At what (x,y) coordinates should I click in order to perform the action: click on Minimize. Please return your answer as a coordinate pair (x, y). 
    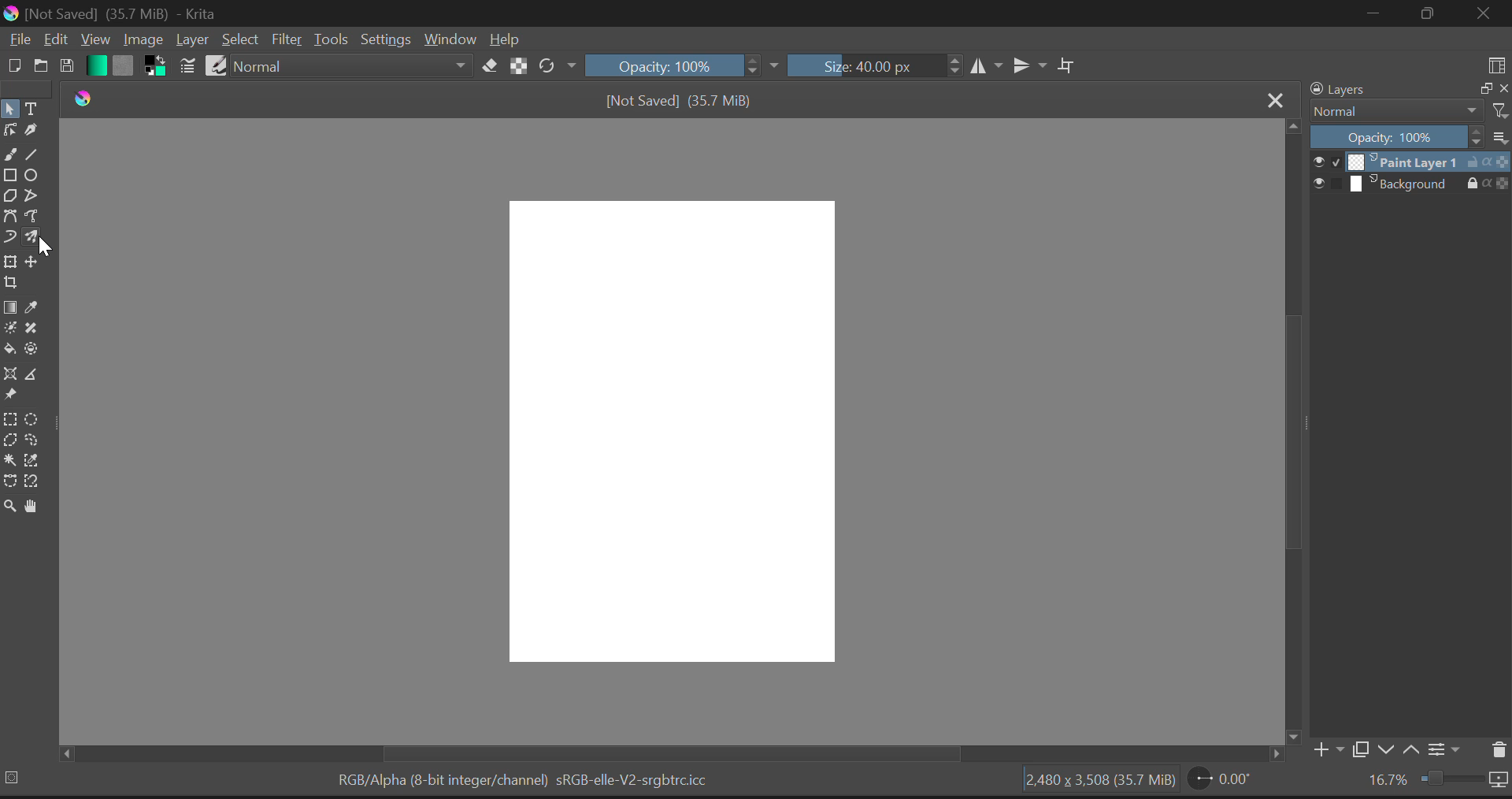
    Looking at the image, I should click on (1432, 13).